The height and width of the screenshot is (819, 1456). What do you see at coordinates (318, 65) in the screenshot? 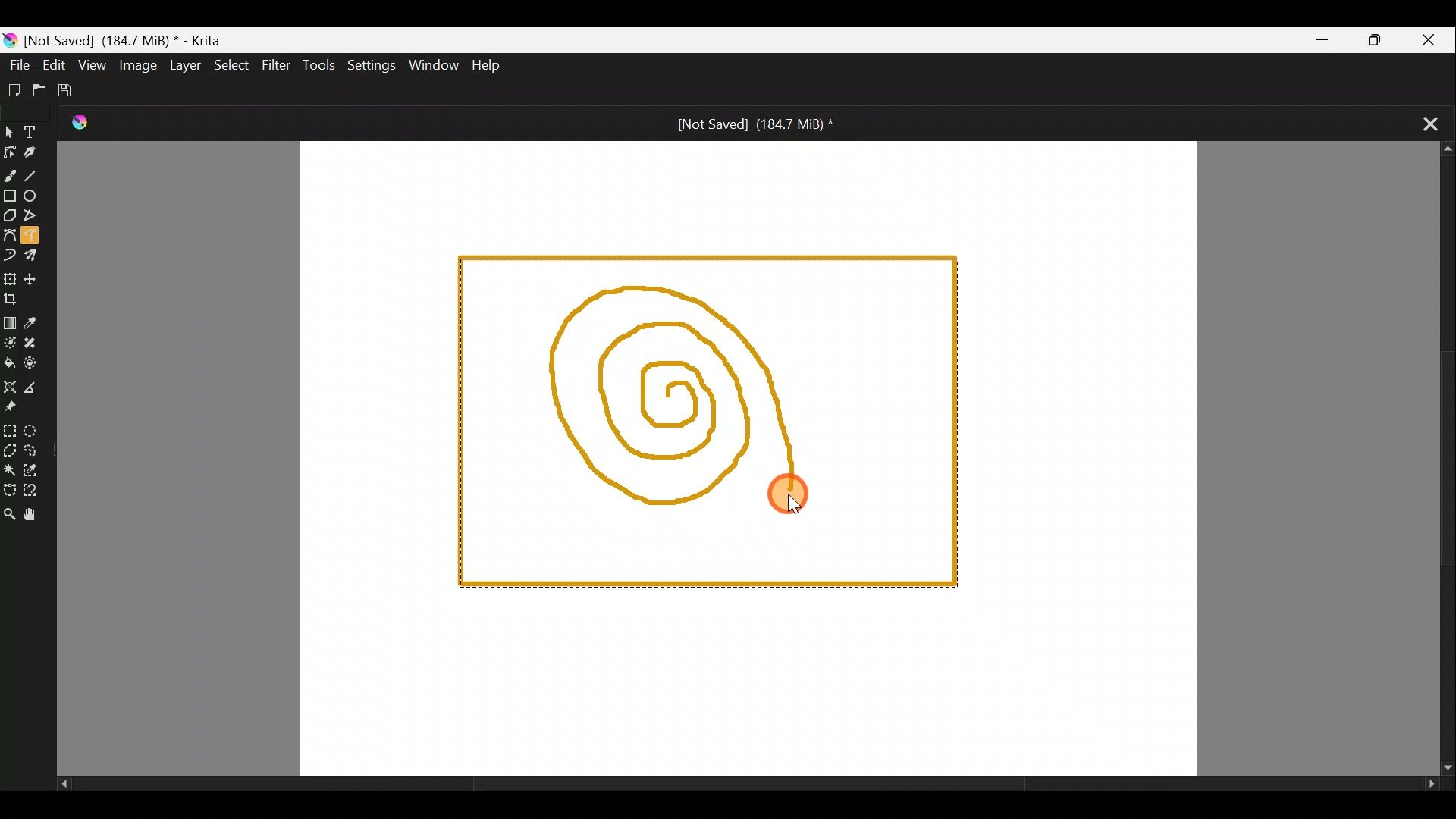
I see `Tools` at bounding box center [318, 65].